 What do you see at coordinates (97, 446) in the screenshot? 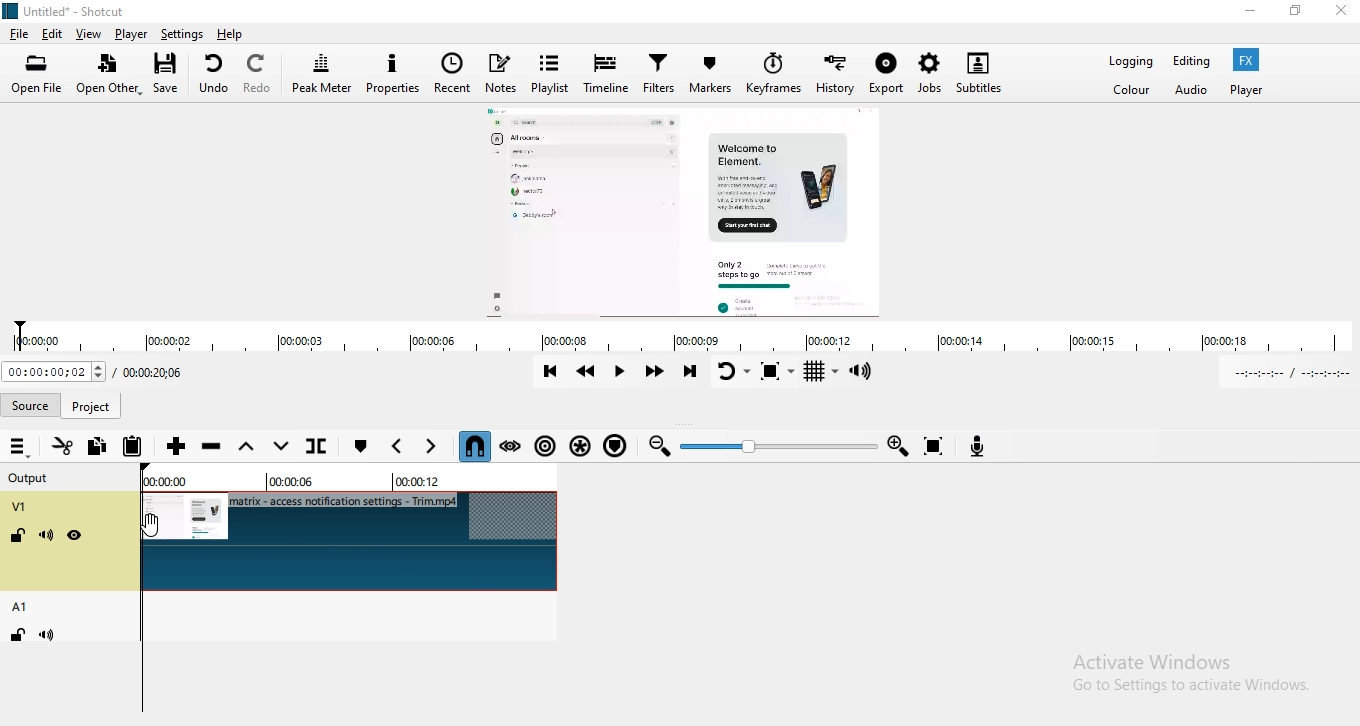
I see `Copy` at bounding box center [97, 446].